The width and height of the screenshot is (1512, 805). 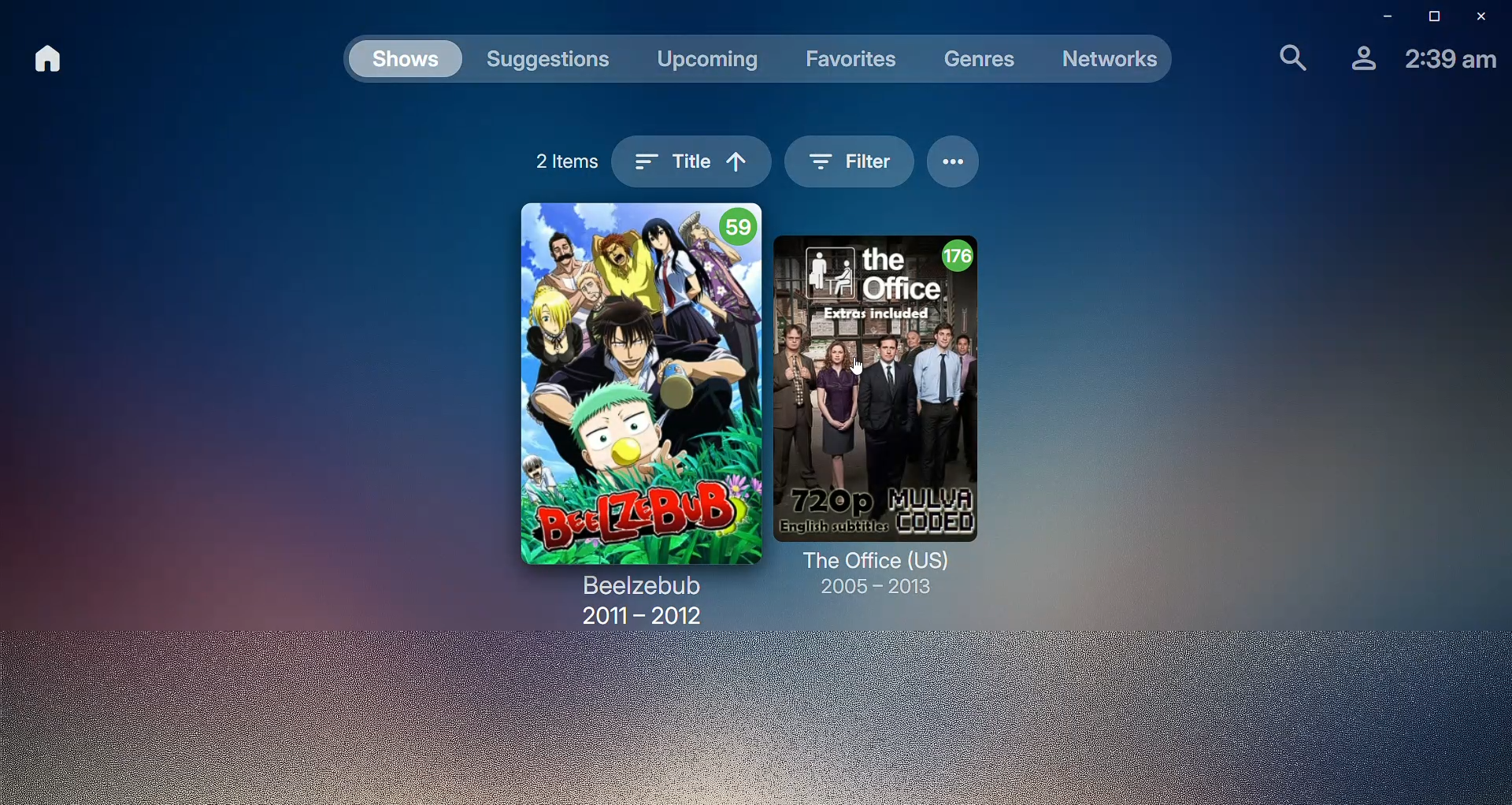 What do you see at coordinates (855, 61) in the screenshot?
I see `Favorites` at bounding box center [855, 61].